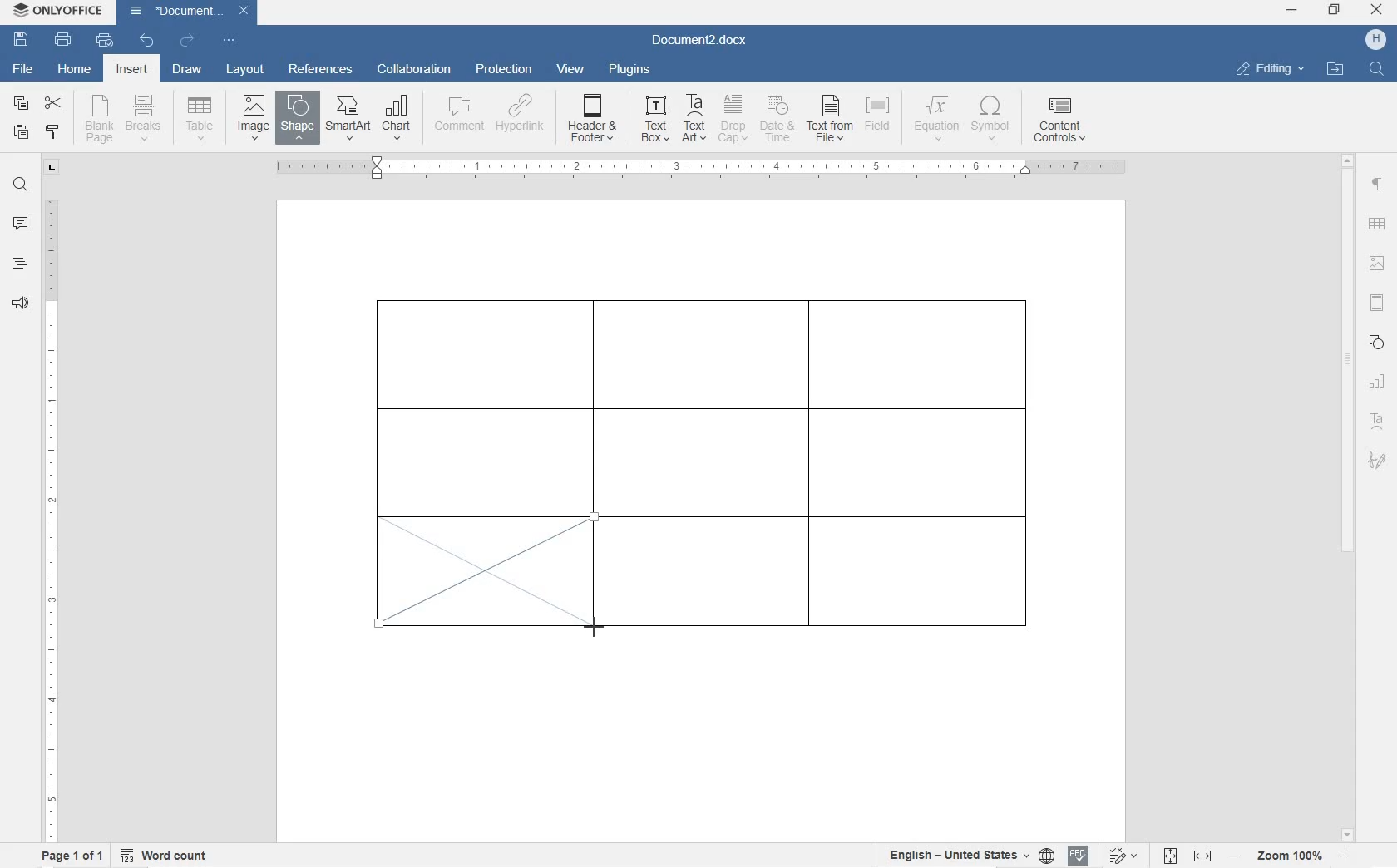 The width and height of the screenshot is (1397, 868). I want to click on customize quick access toolbar, so click(228, 40).